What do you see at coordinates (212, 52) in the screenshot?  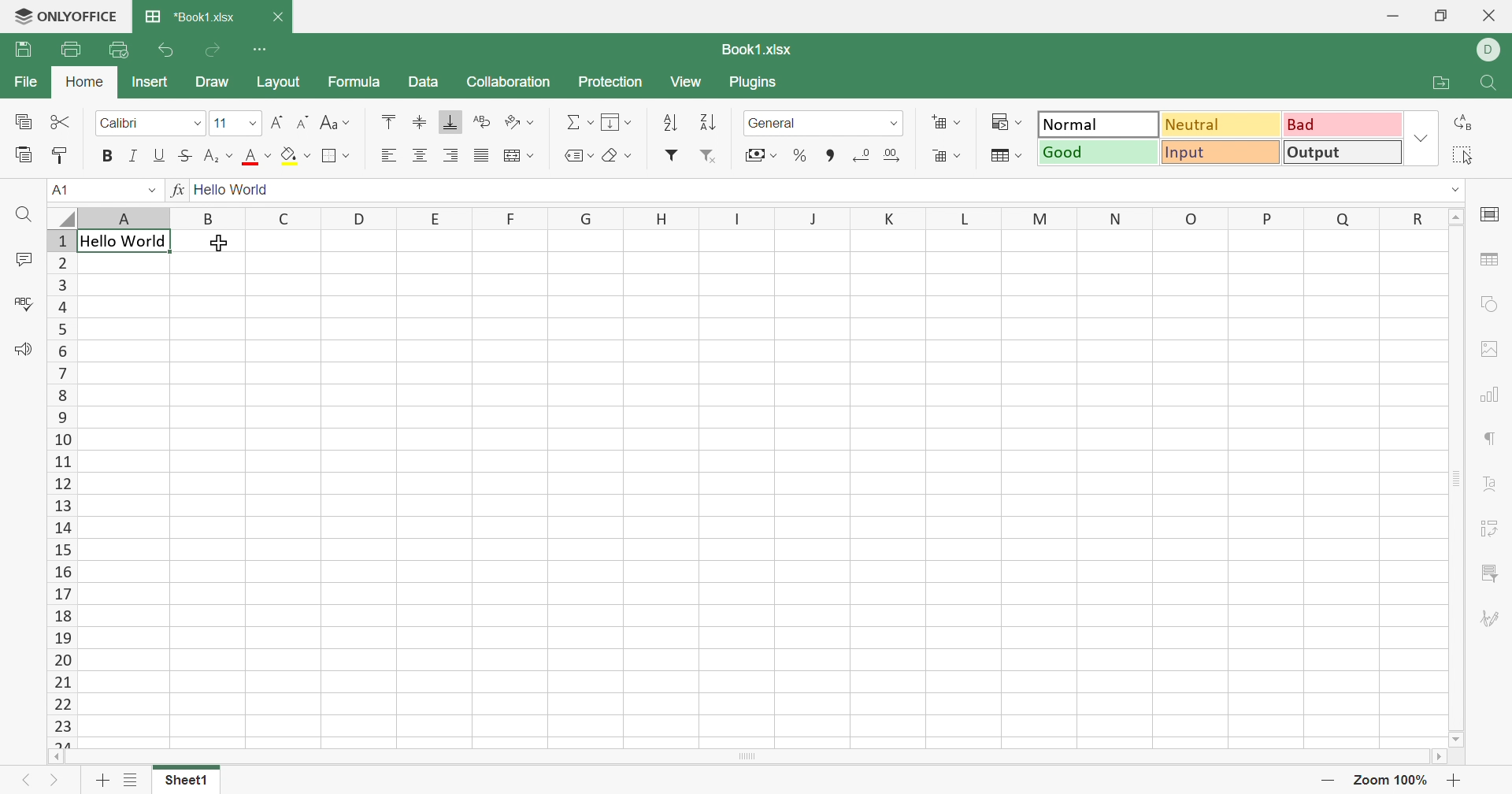 I see `Redo` at bounding box center [212, 52].